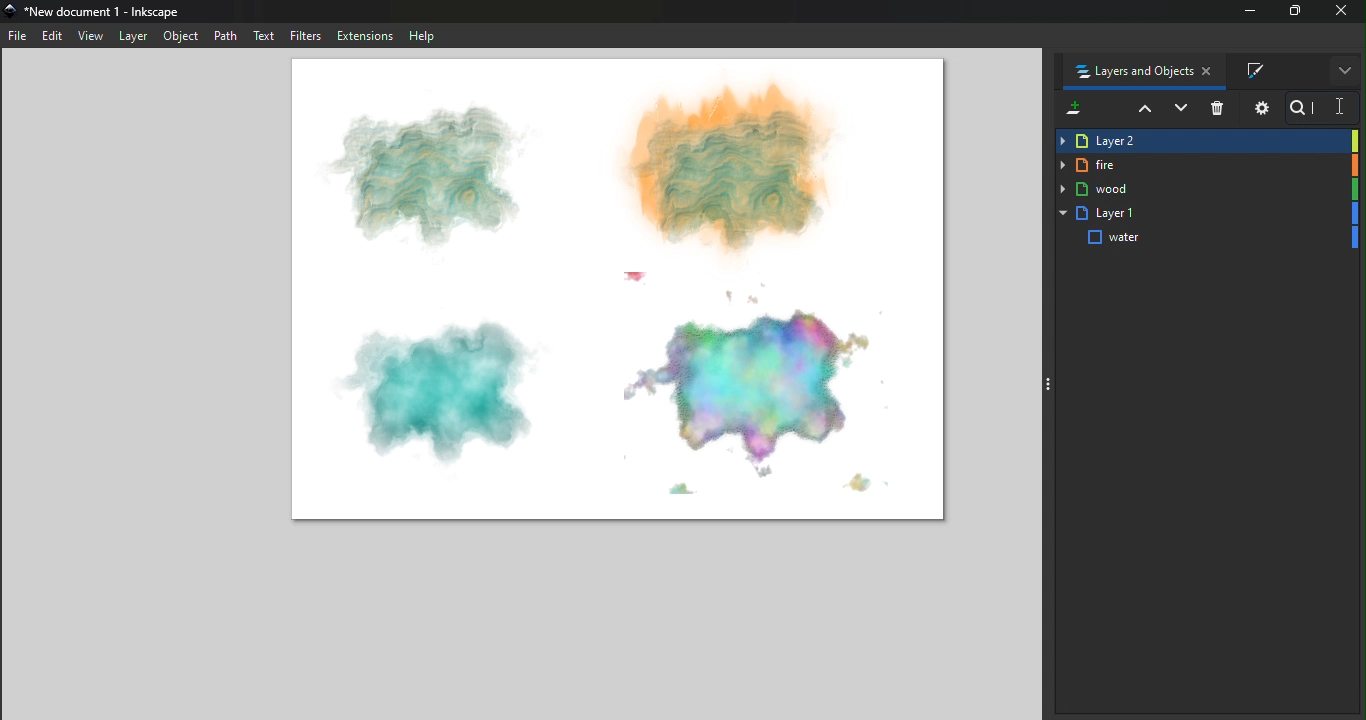  I want to click on Search bar, so click(1318, 109).